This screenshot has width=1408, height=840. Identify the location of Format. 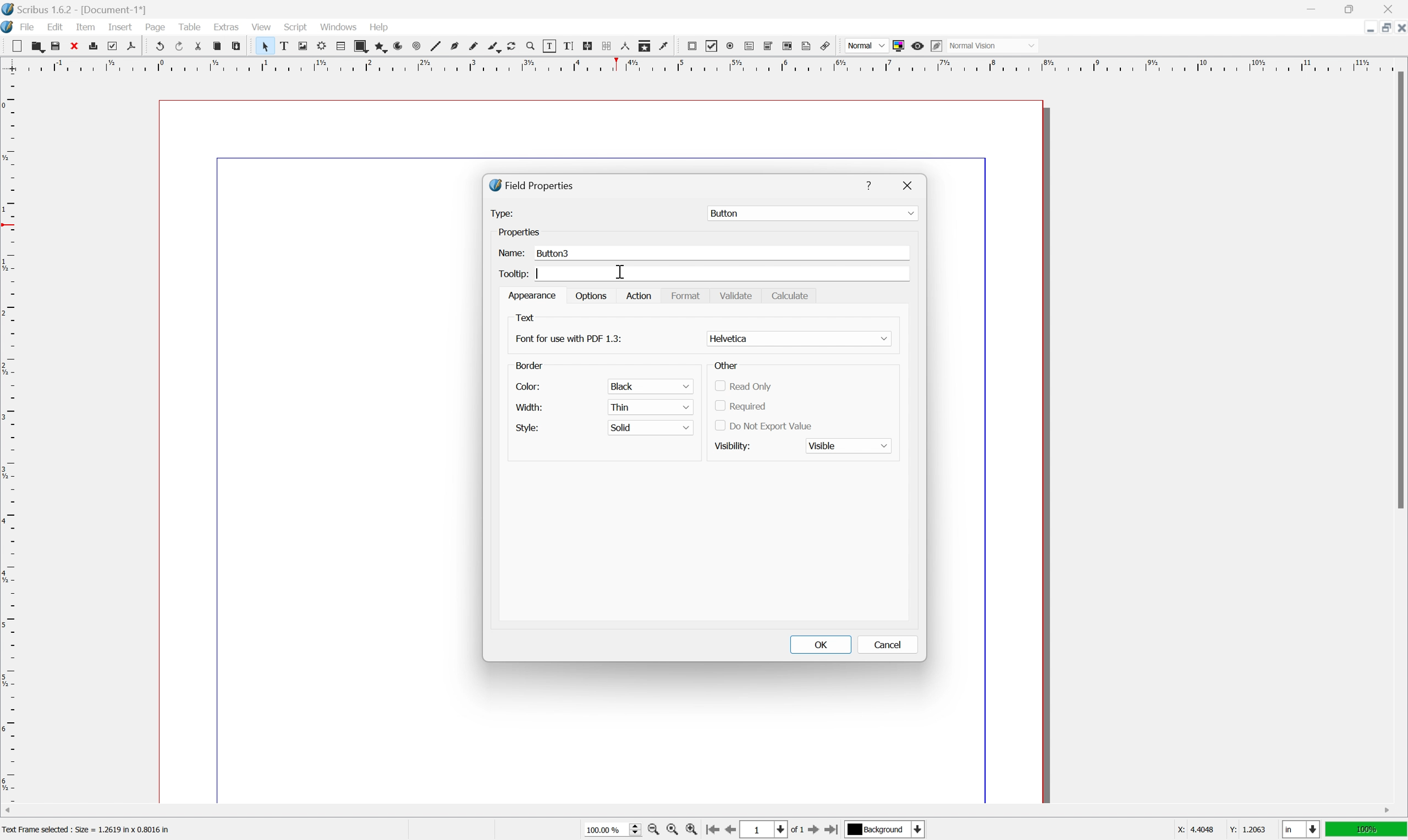
(687, 297).